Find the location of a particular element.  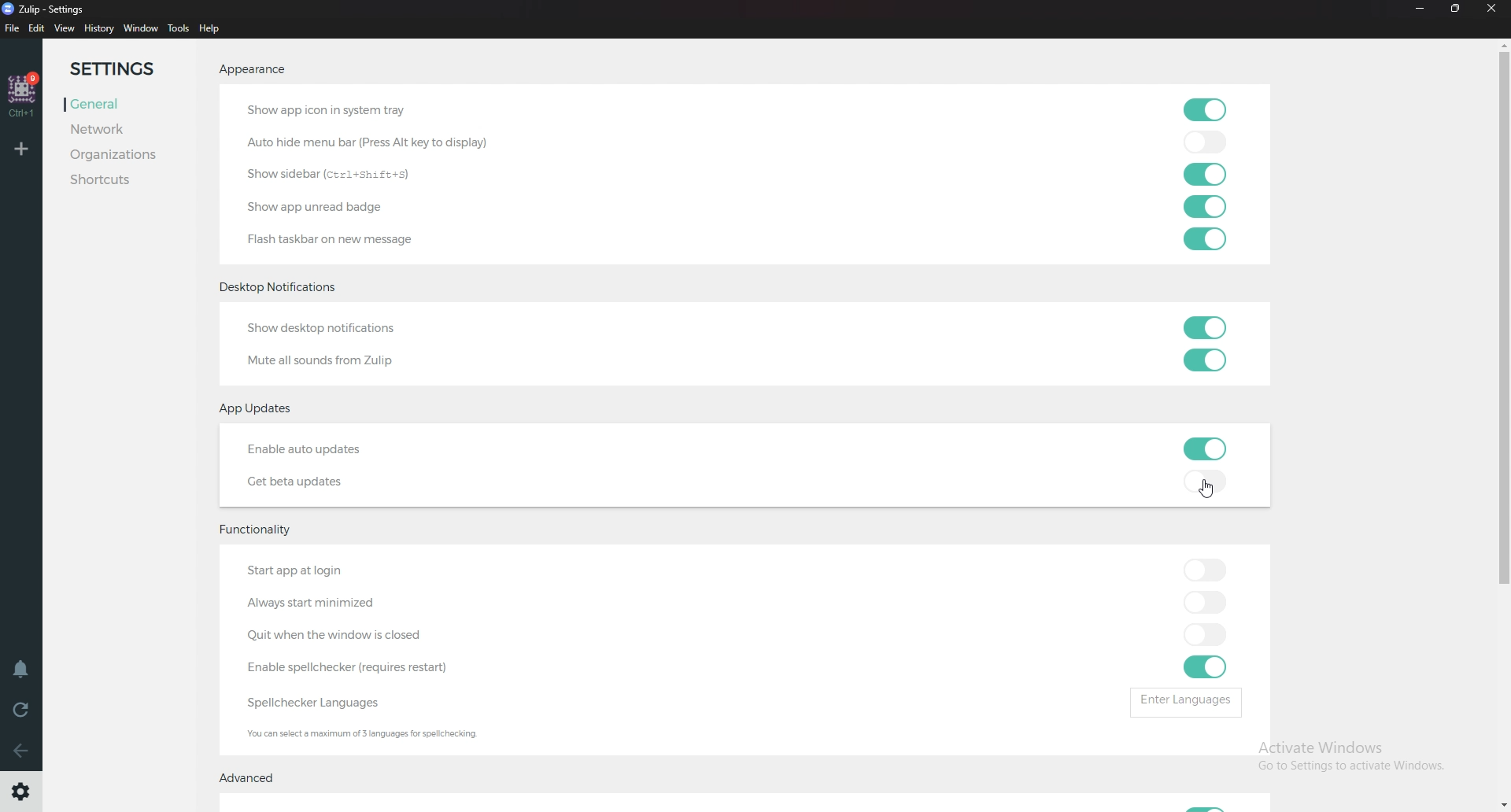

Minimize is located at coordinates (1421, 12).